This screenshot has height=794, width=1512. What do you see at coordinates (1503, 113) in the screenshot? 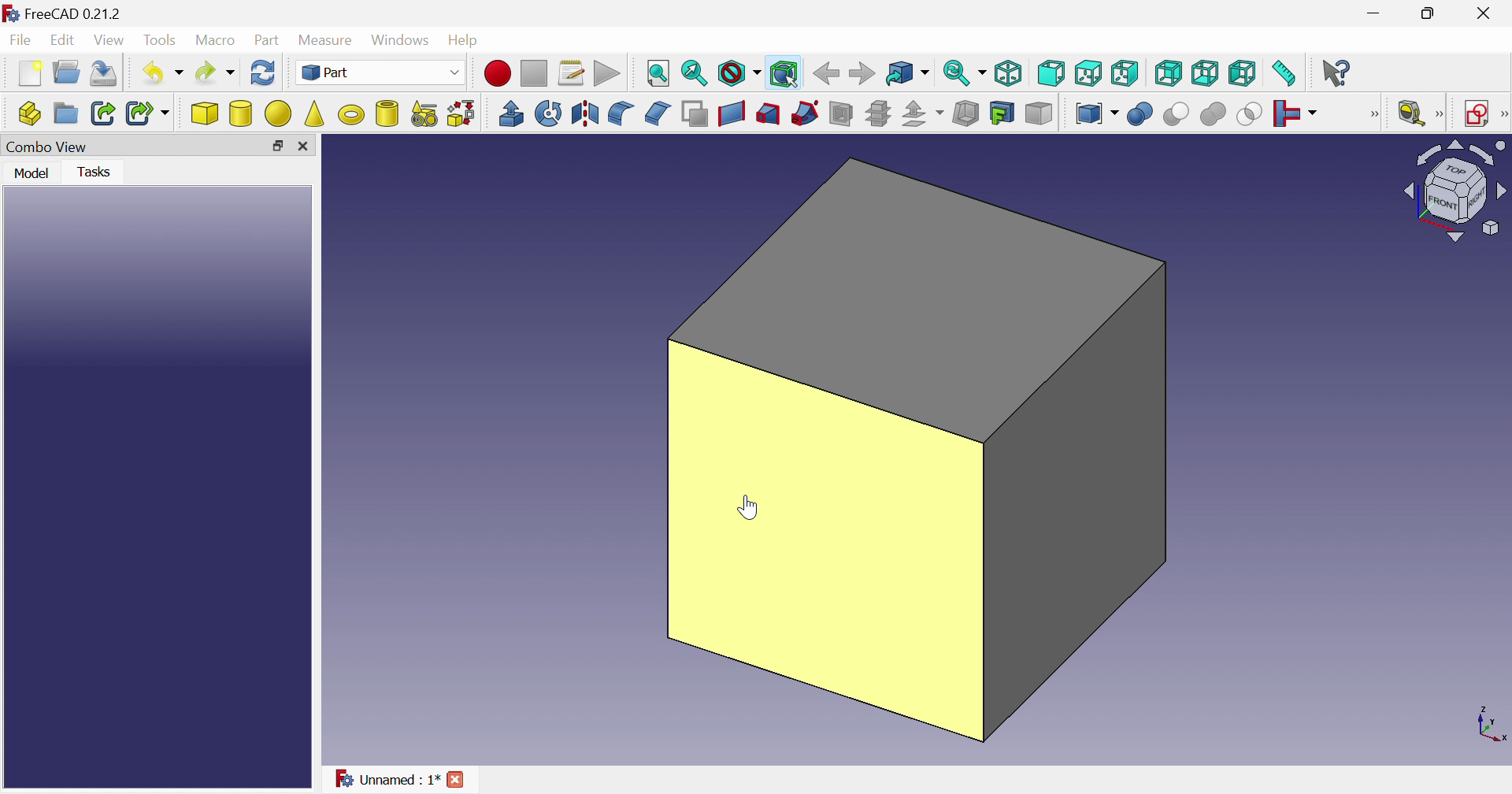
I see `[Sketcher]` at bounding box center [1503, 113].